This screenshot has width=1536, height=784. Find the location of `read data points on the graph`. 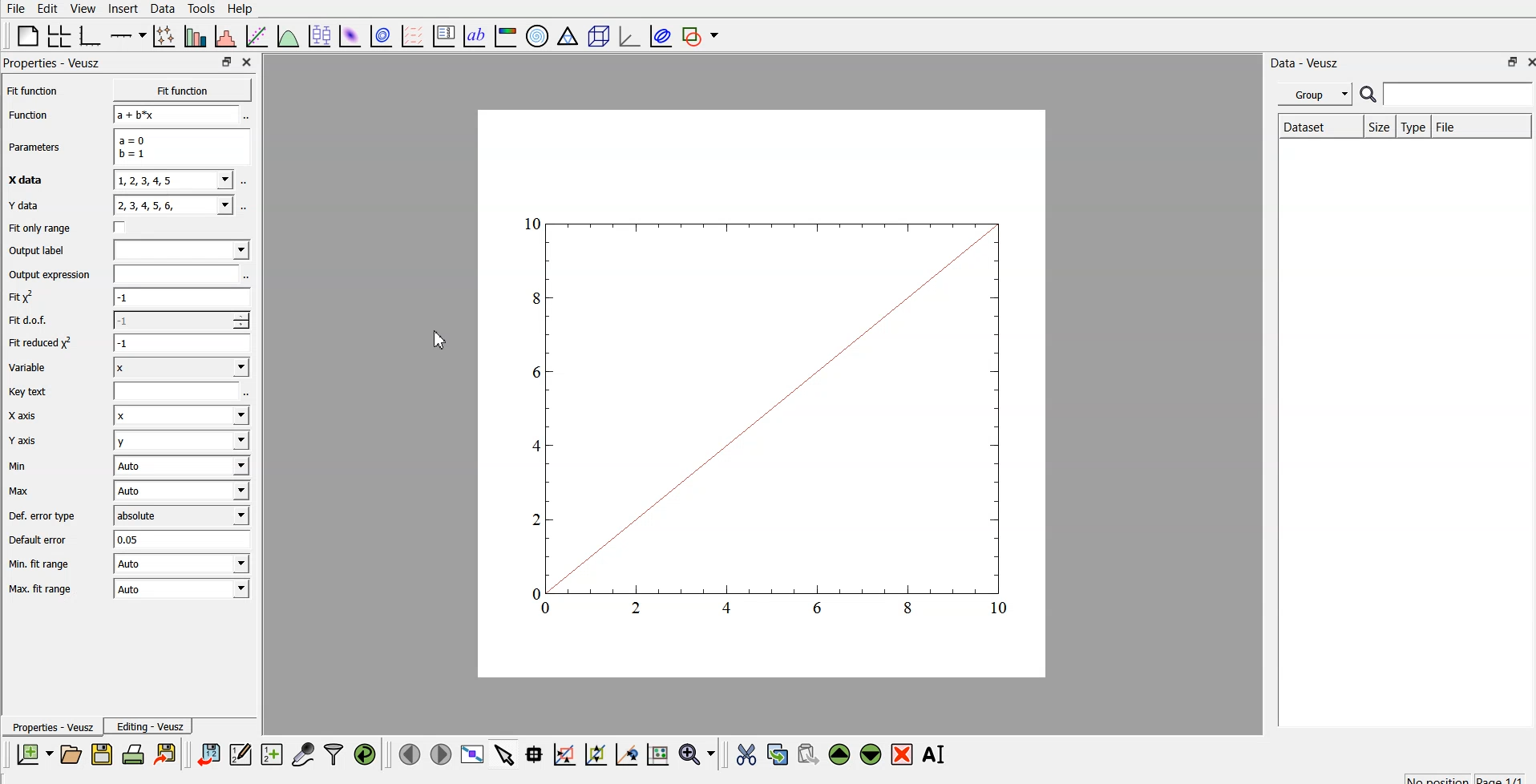

read data points on the graph is located at coordinates (536, 755).